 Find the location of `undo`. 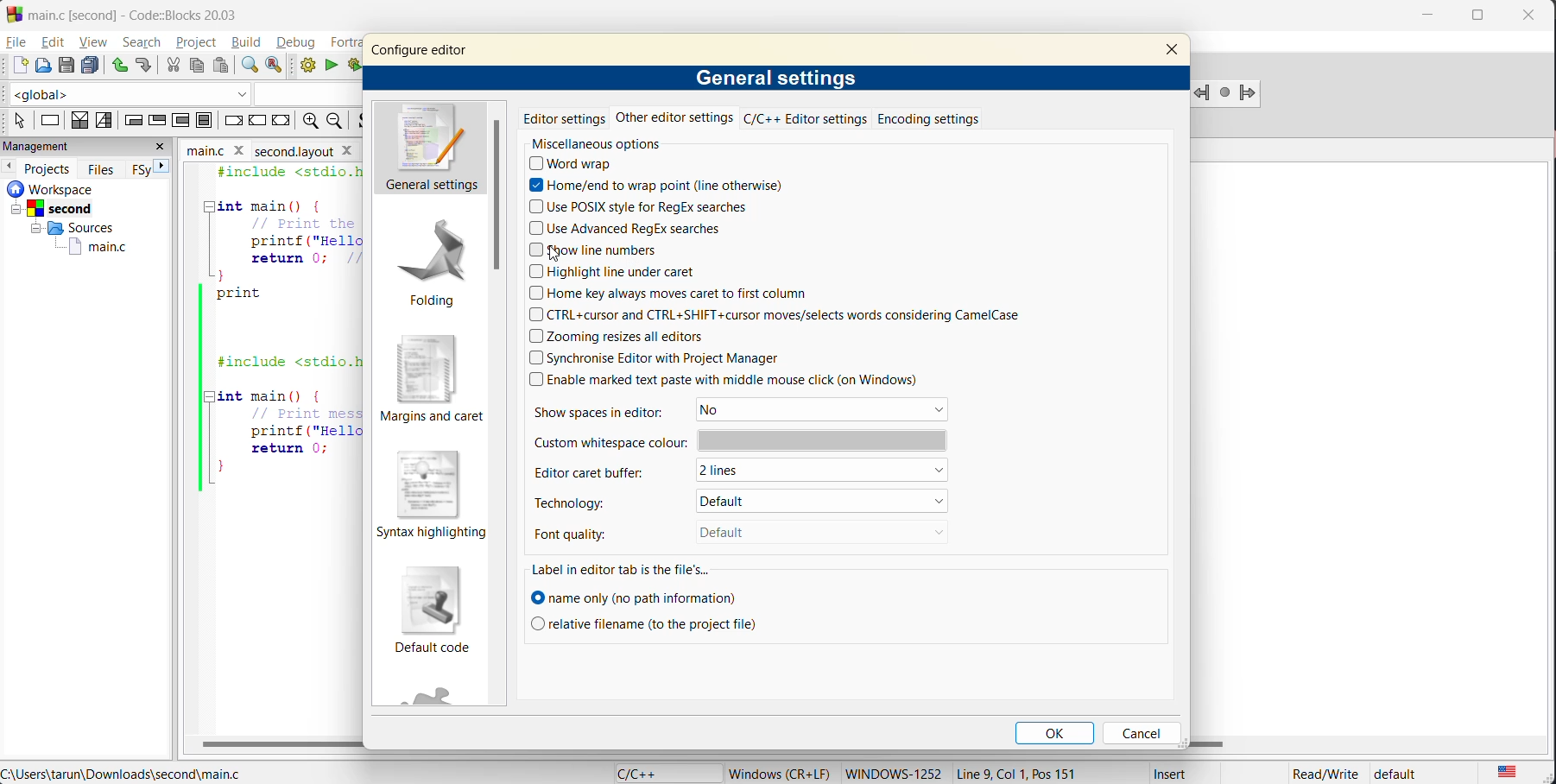

undo is located at coordinates (117, 64).